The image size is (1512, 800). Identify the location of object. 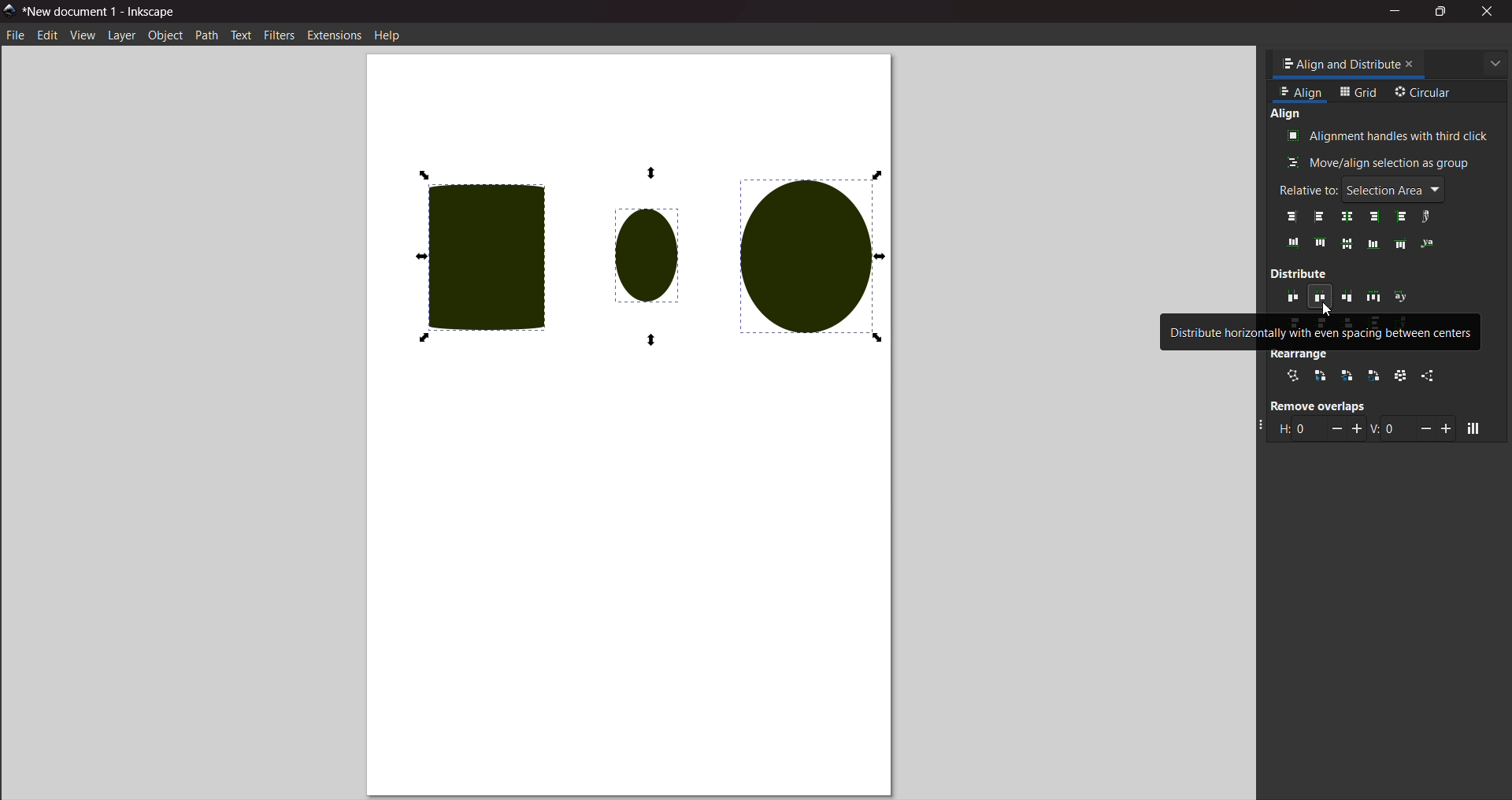
(165, 35).